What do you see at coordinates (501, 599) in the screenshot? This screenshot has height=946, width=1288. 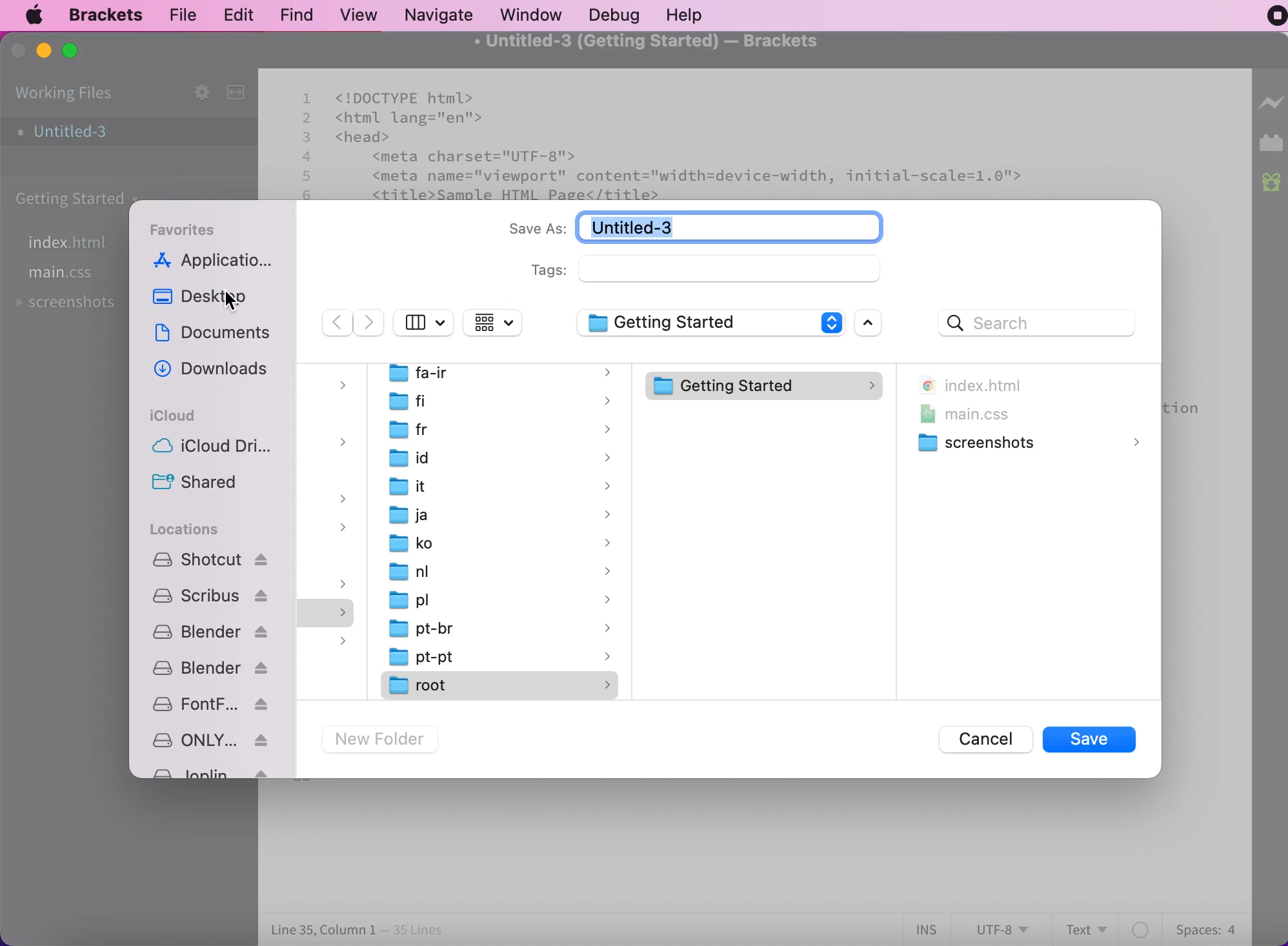 I see `pl` at bounding box center [501, 599].